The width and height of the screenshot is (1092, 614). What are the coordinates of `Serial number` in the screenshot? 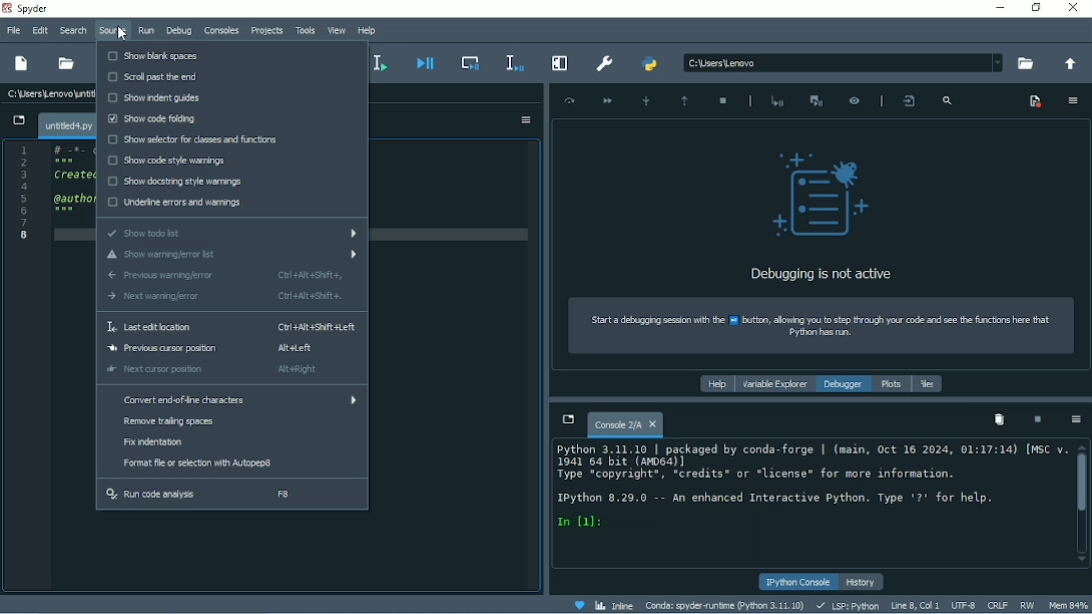 It's located at (26, 194).